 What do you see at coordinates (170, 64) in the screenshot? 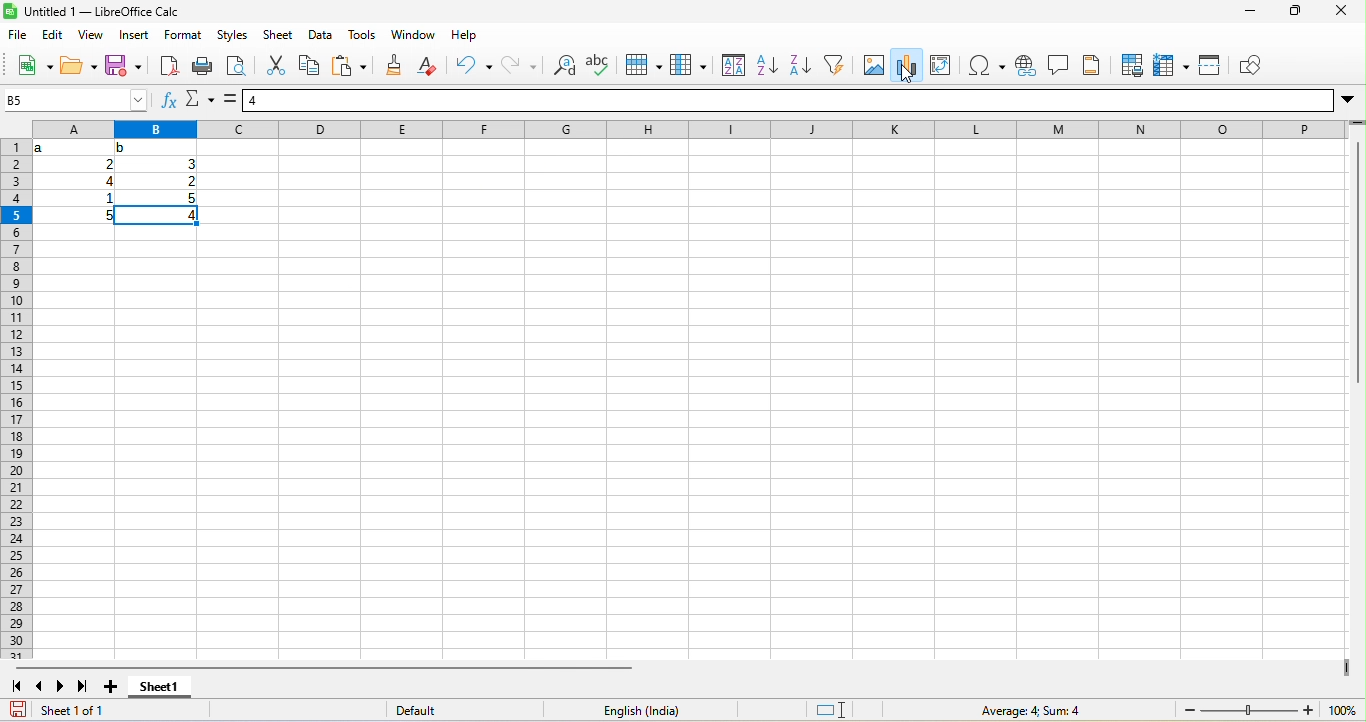
I see `export directly as pdf` at bounding box center [170, 64].